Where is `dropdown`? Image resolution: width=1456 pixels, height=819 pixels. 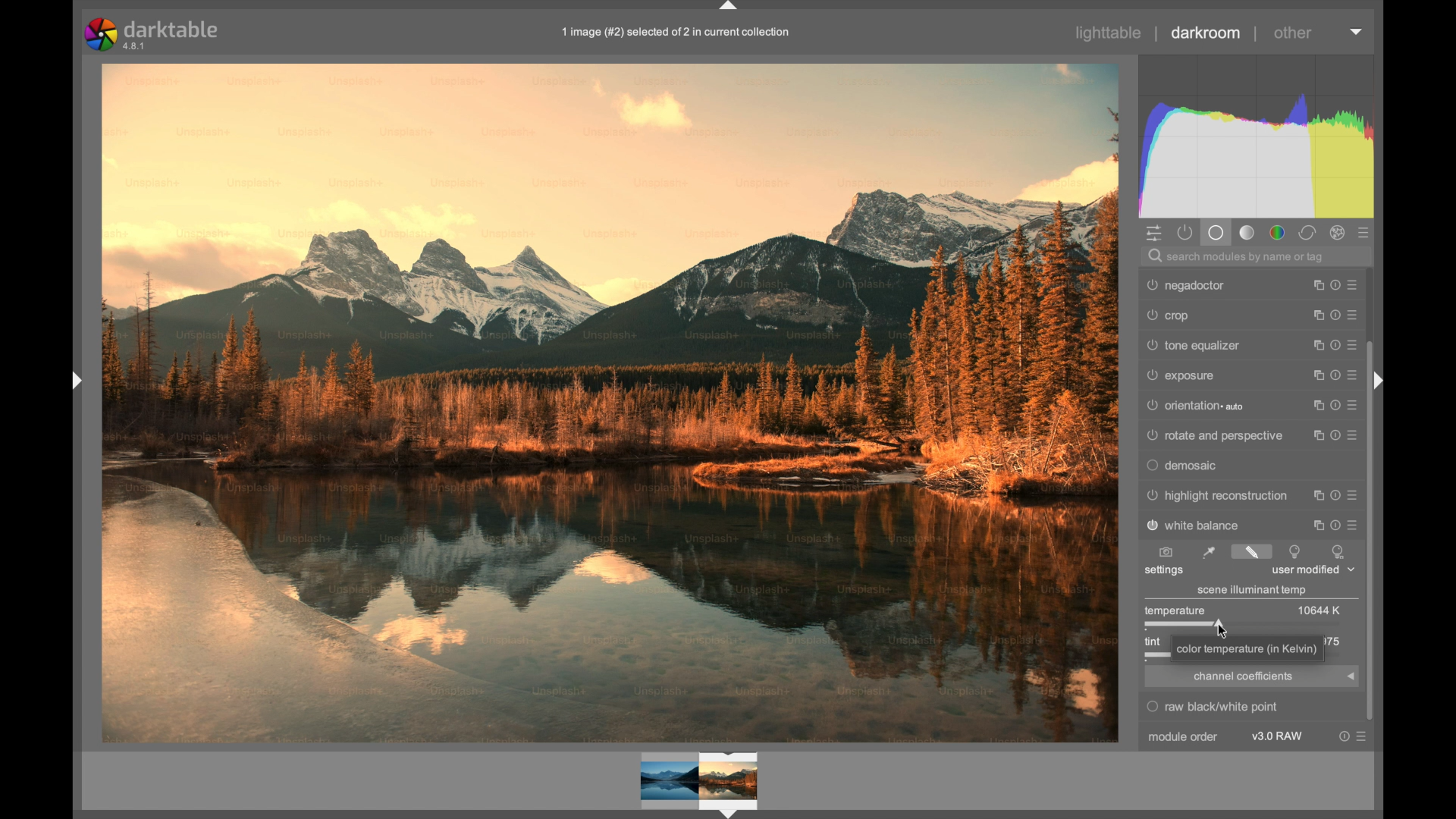
dropdown is located at coordinates (1356, 32).